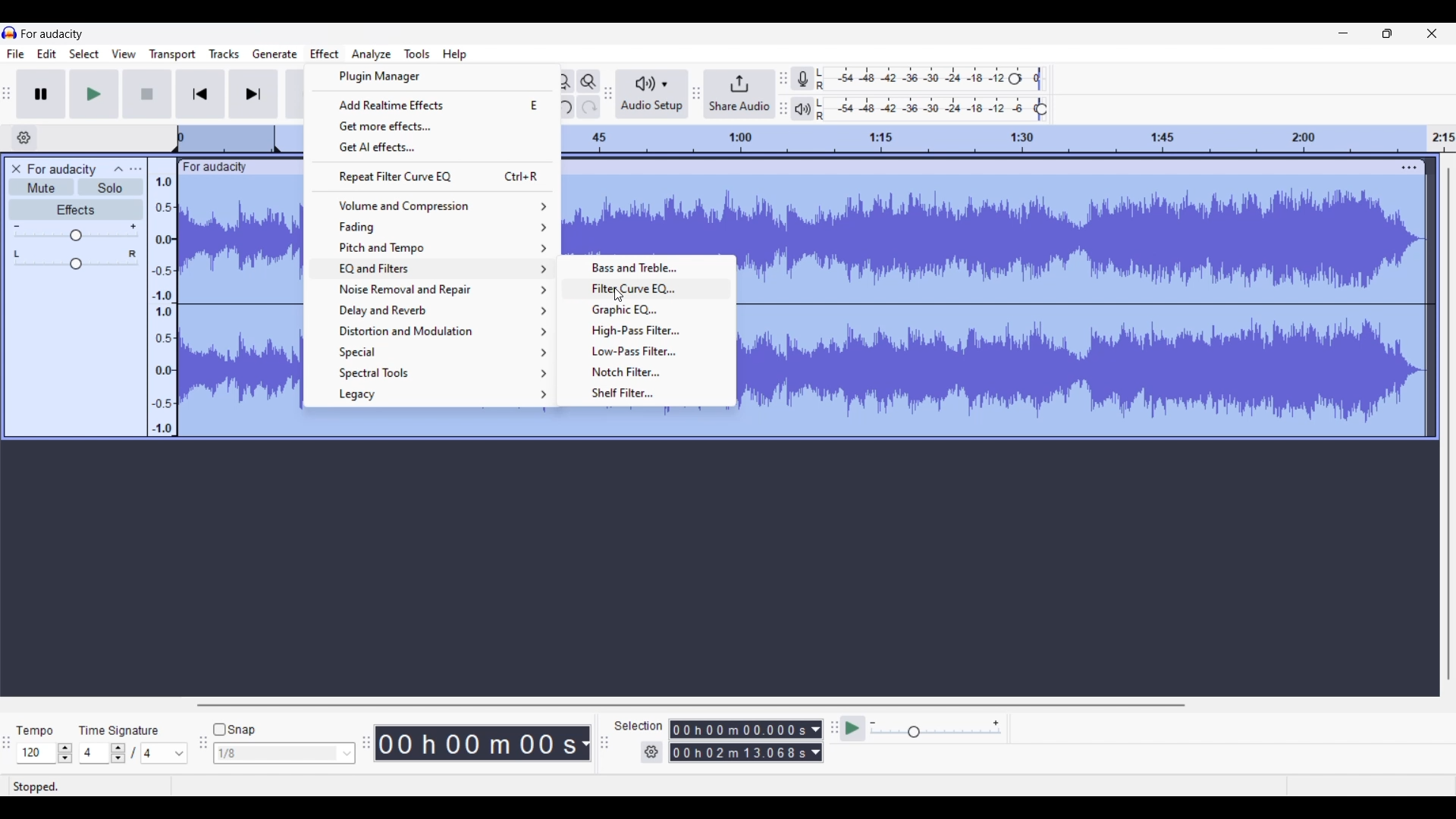 Image resolution: width=1456 pixels, height=819 pixels. What do you see at coordinates (1009, 139) in the screenshot?
I see `Scale to track length of audio` at bounding box center [1009, 139].